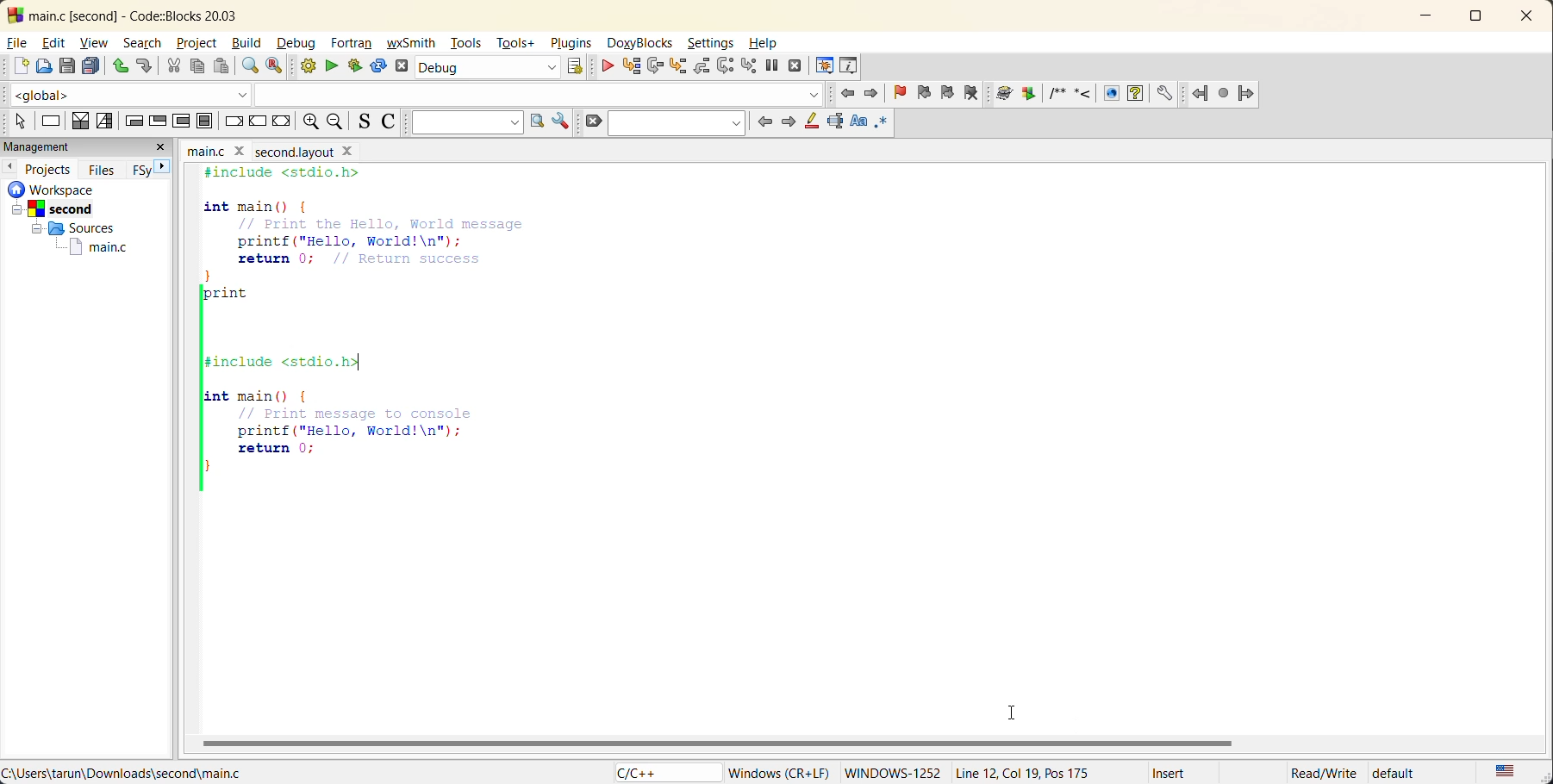 The image size is (1553, 784). What do you see at coordinates (1222, 90) in the screenshot?
I see `last jump` at bounding box center [1222, 90].